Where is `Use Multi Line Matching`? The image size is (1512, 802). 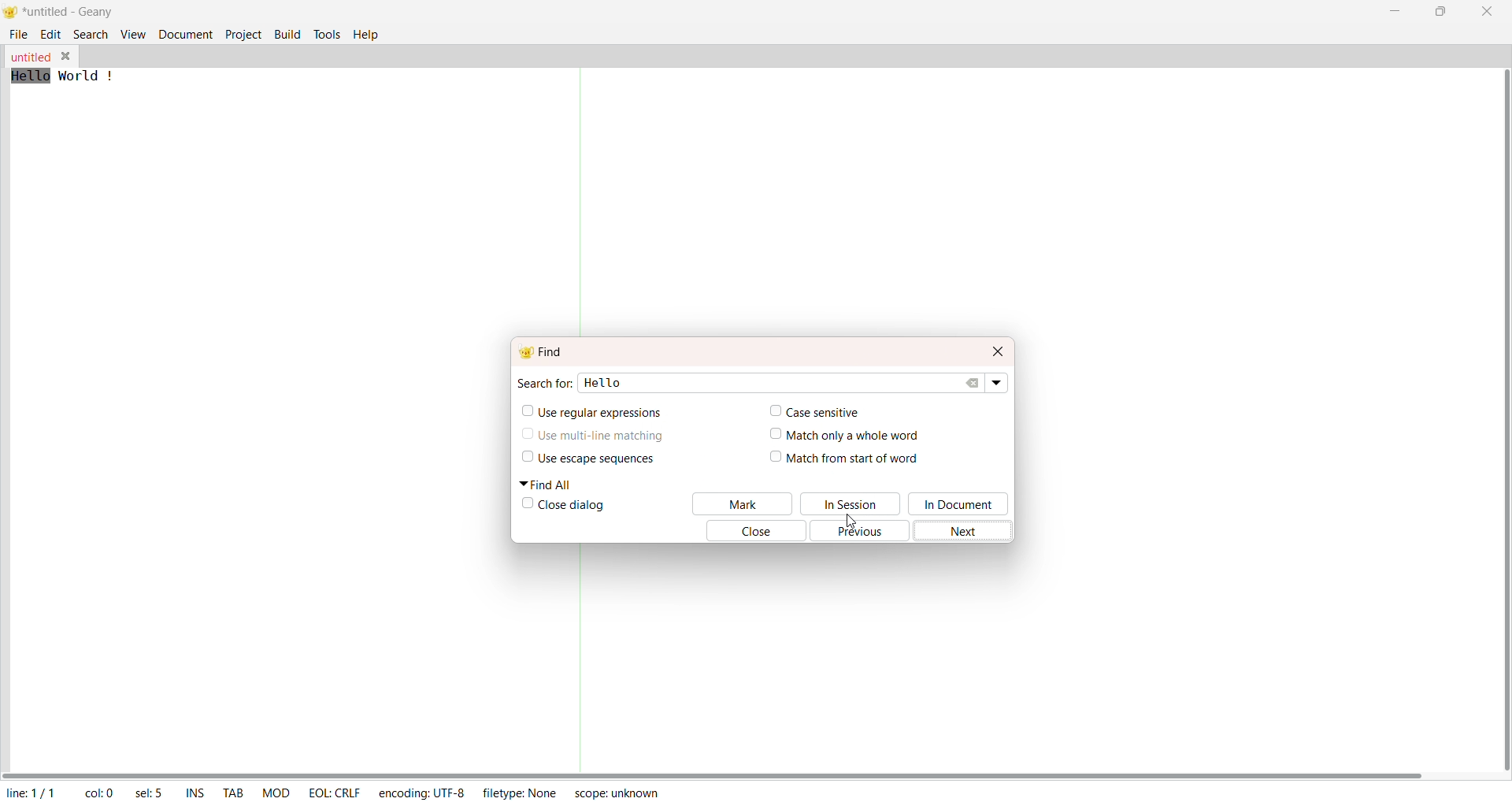
Use Multi Line Matching is located at coordinates (602, 440).